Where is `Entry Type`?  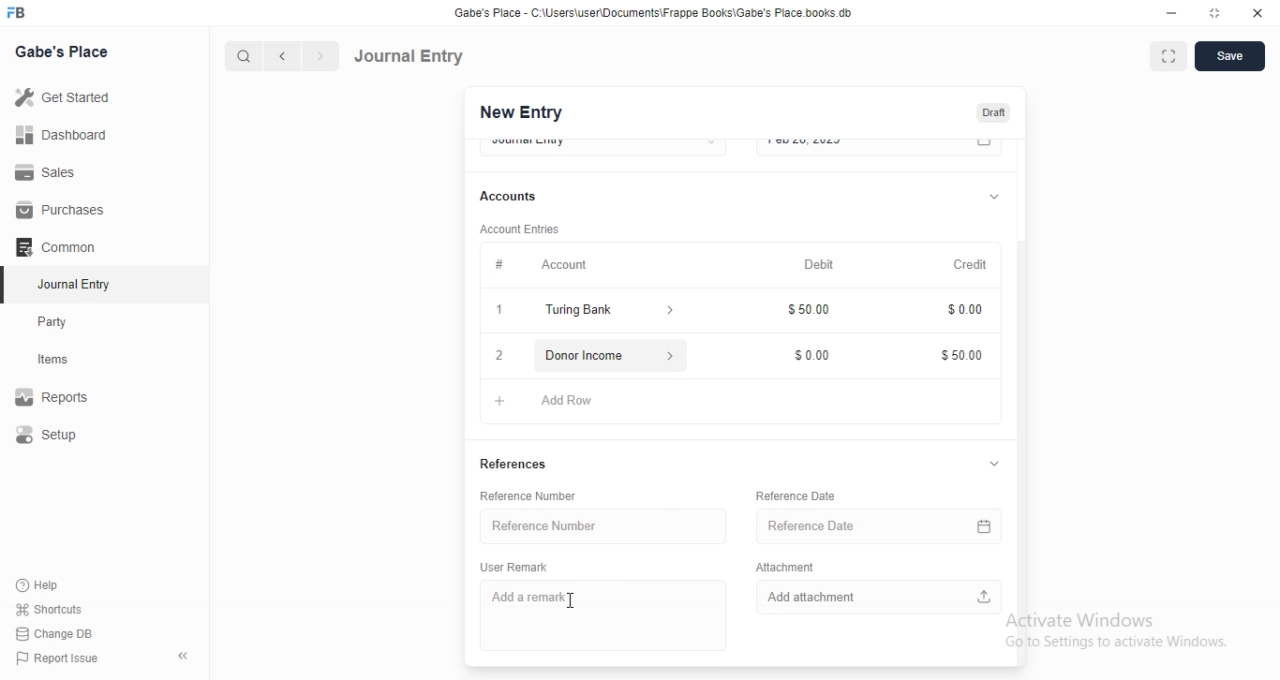 Entry Type is located at coordinates (602, 145).